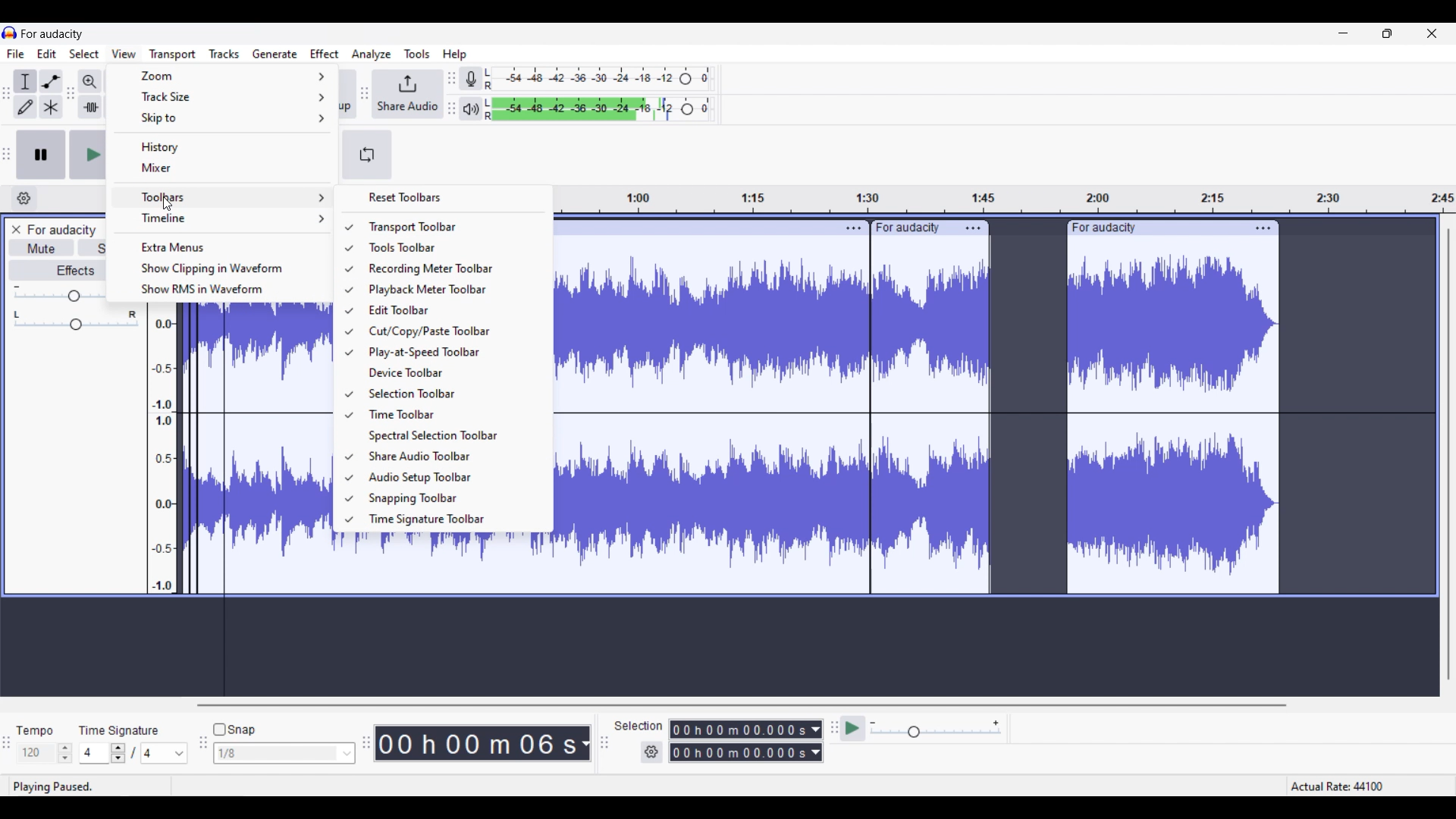 This screenshot has width=1456, height=819. Describe the element at coordinates (119, 730) in the screenshot. I see `time signature` at that location.